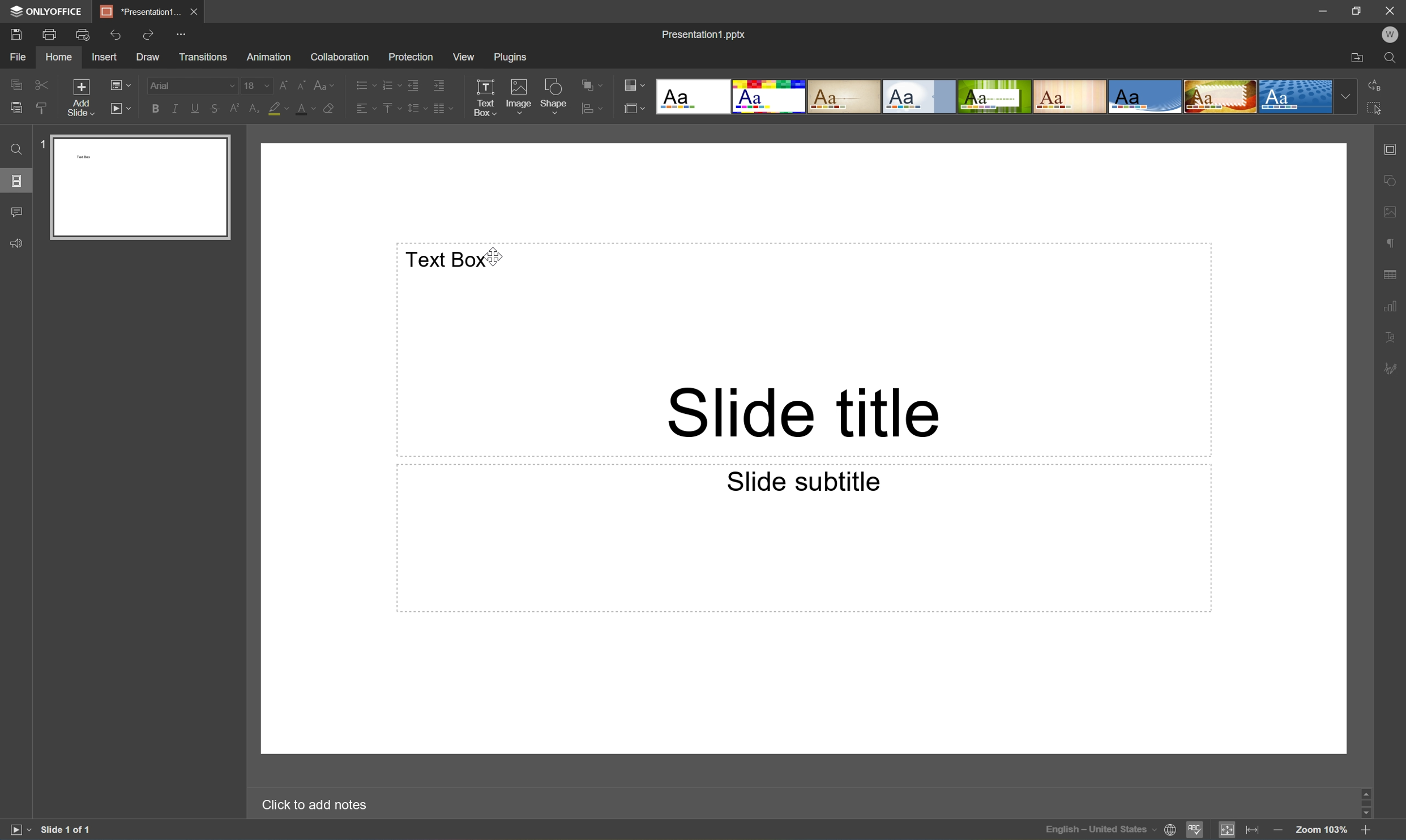 The width and height of the screenshot is (1406, 840). I want to click on Increase indent, so click(439, 85).